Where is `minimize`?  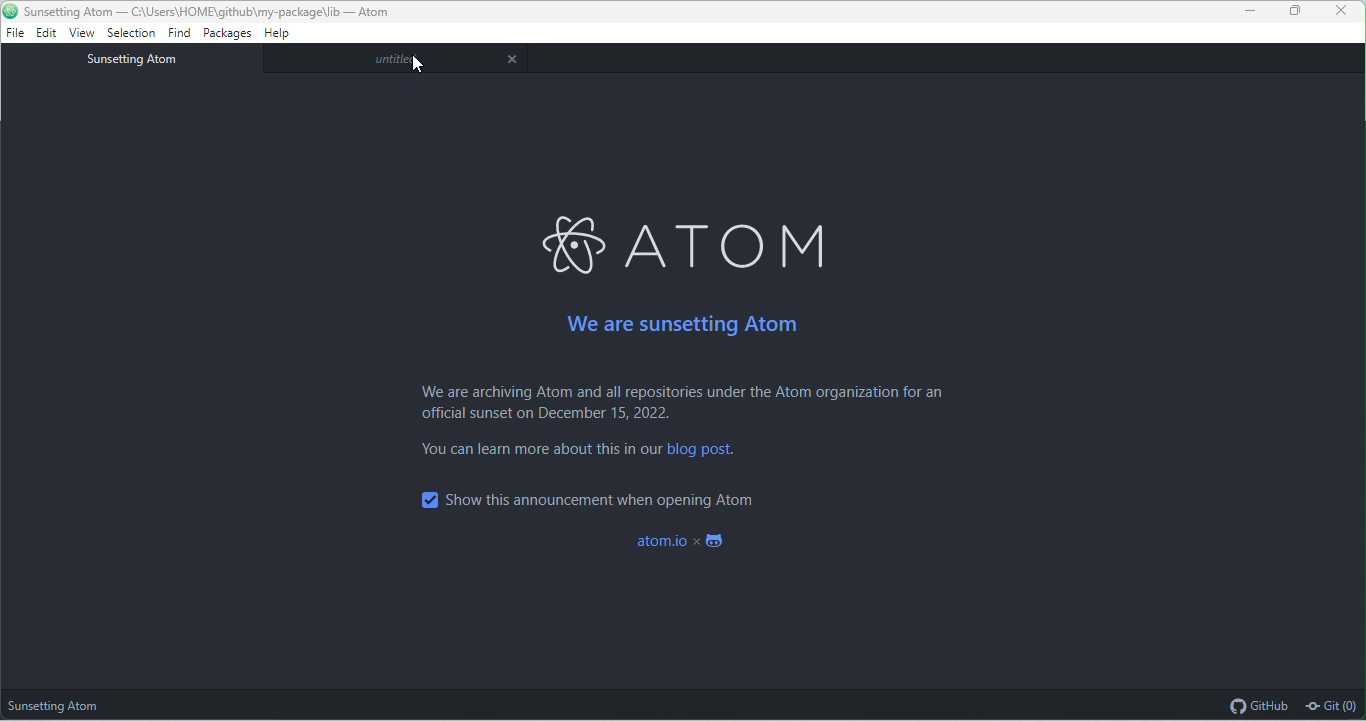
minimize is located at coordinates (1247, 13).